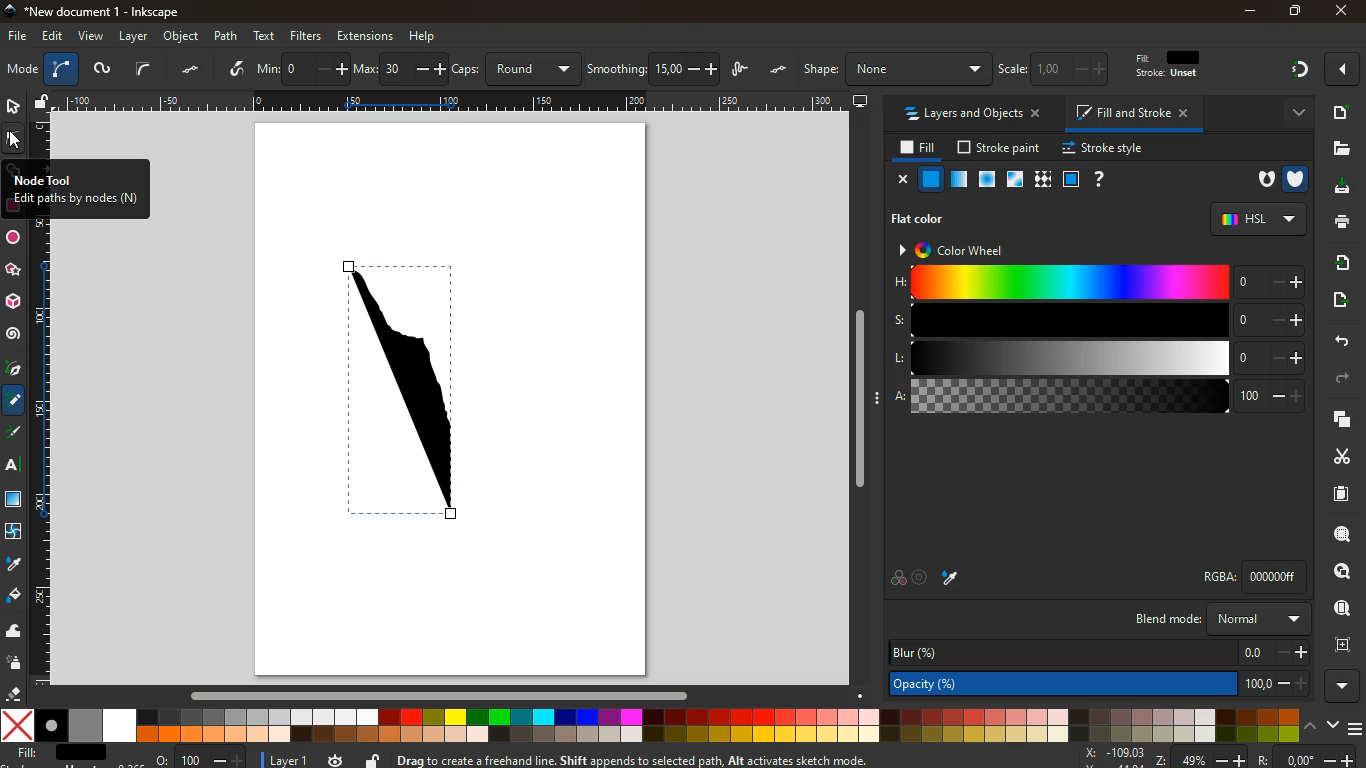 Image resolution: width=1366 pixels, height=768 pixels. What do you see at coordinates (1340, 643) in the screenshot?
I see `frame` at bounding box center [1340, 643].